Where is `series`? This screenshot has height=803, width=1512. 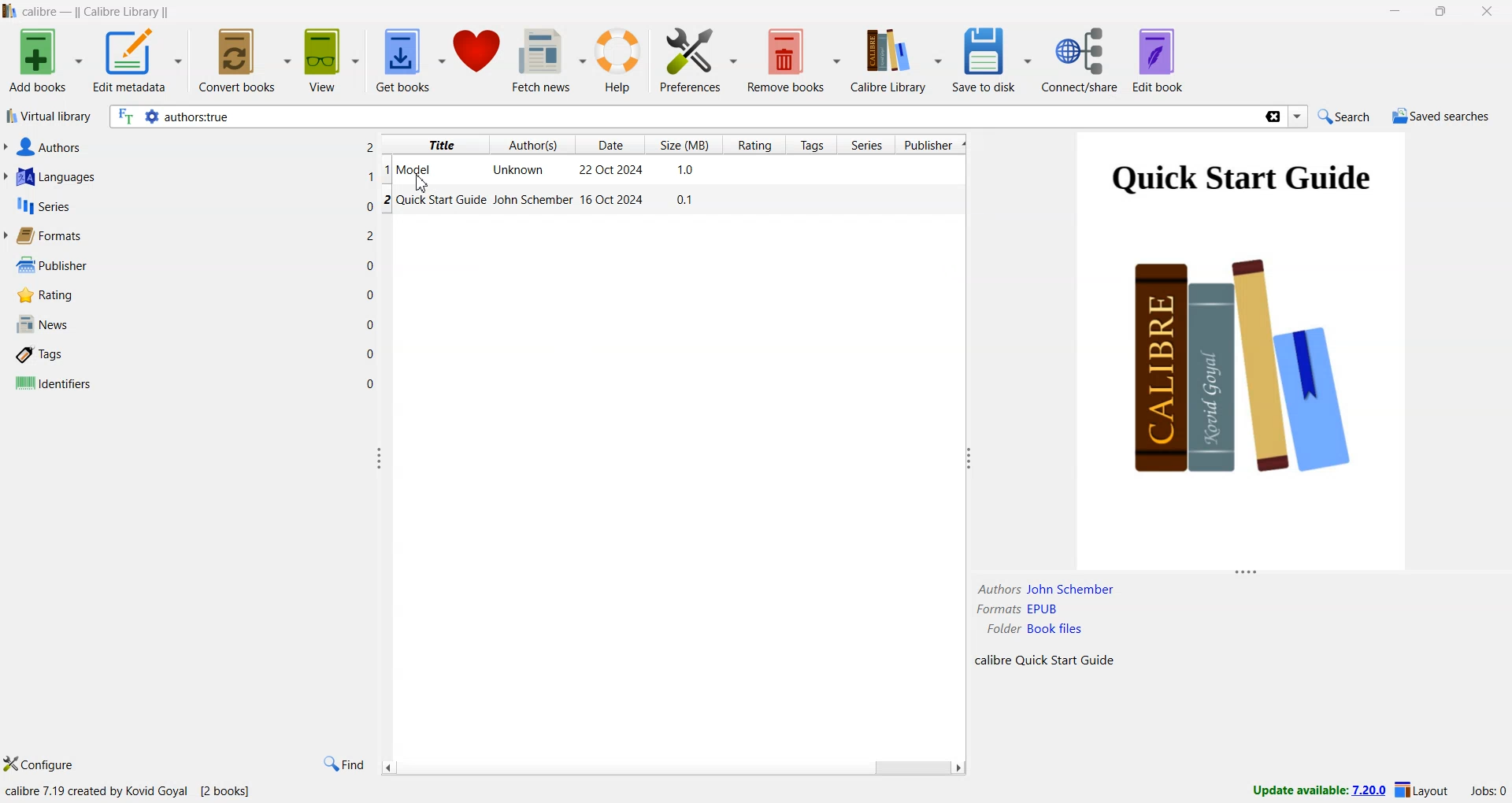 series is located at coordinates (42, 209).